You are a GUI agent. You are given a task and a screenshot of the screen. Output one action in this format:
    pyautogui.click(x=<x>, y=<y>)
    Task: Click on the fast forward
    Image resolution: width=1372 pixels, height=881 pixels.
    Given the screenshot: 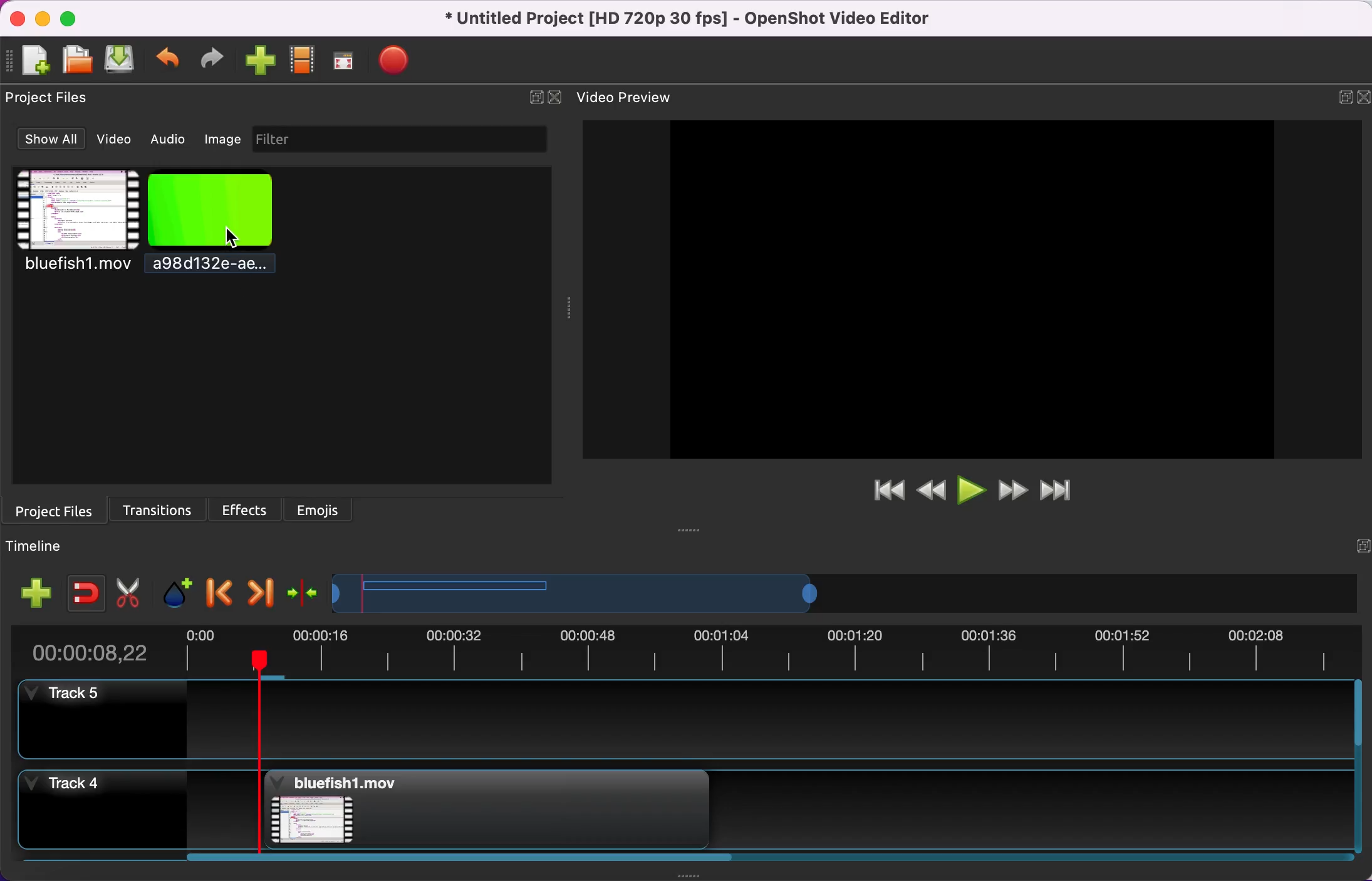 What is the action you would take?
    pyautogui.click(x=1016, y=493)
    